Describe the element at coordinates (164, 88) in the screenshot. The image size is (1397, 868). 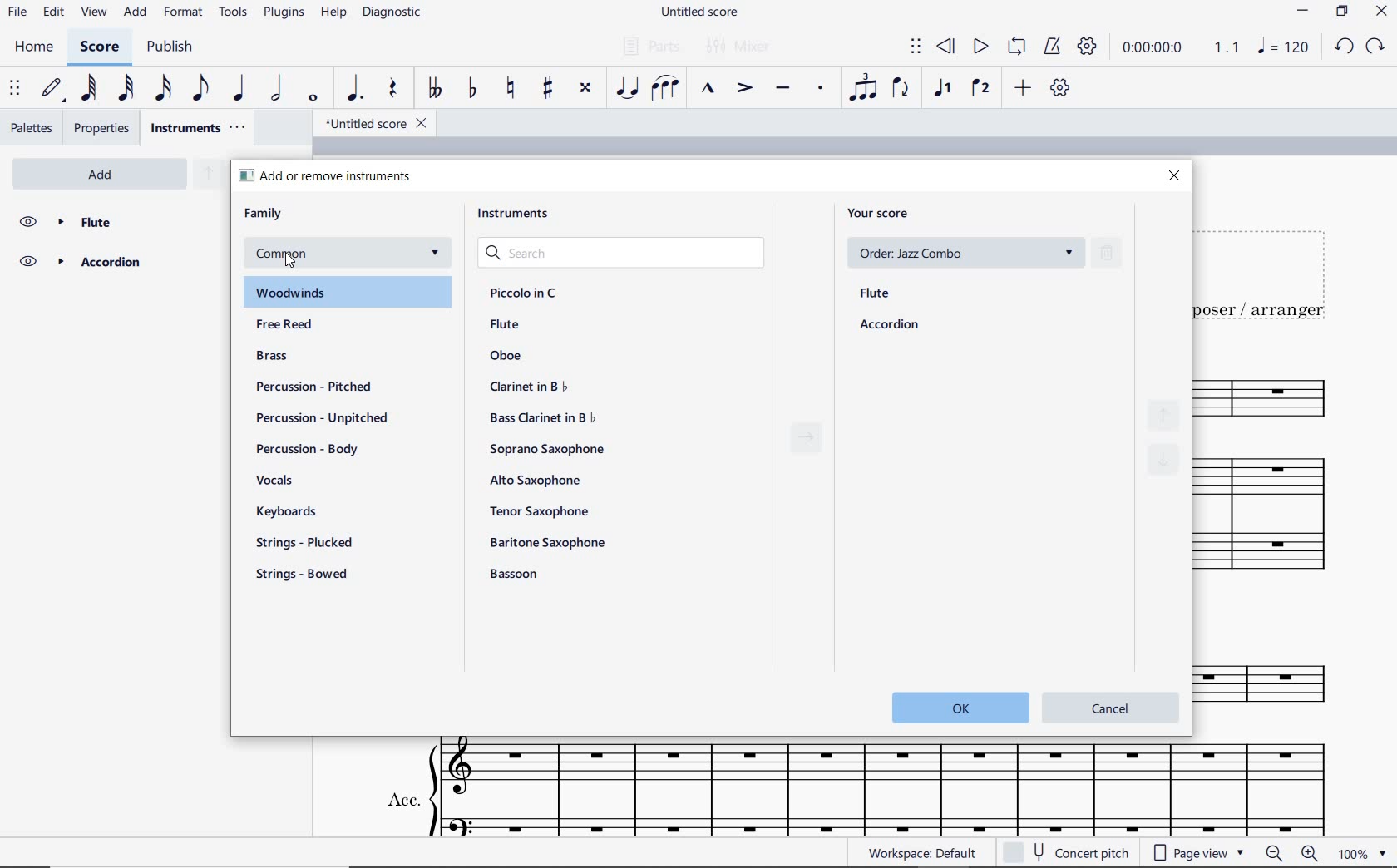
I see `16th note` at that location.